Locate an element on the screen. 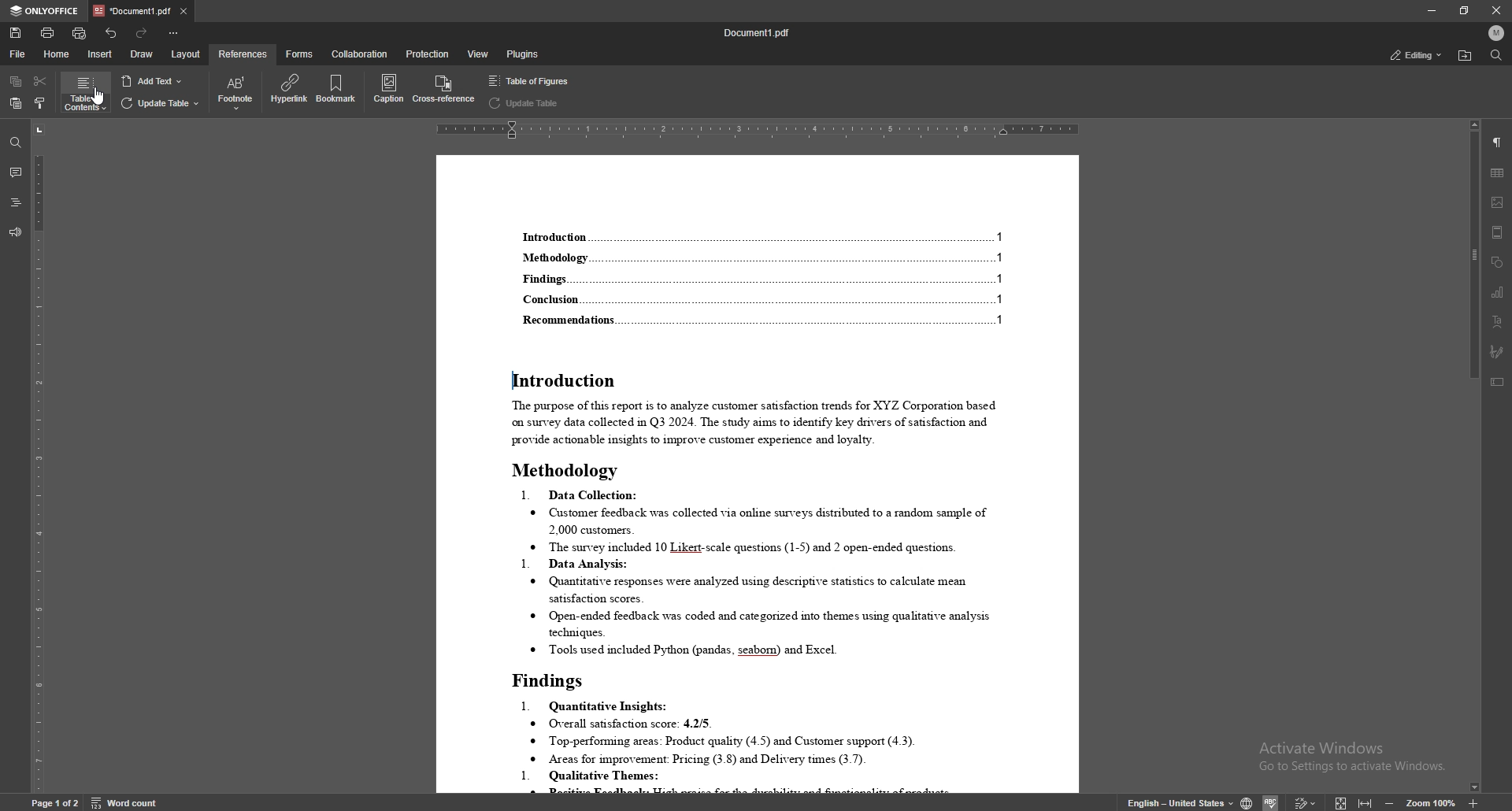 The image size is (1512, 811). close is located at coordinates (187, 10).